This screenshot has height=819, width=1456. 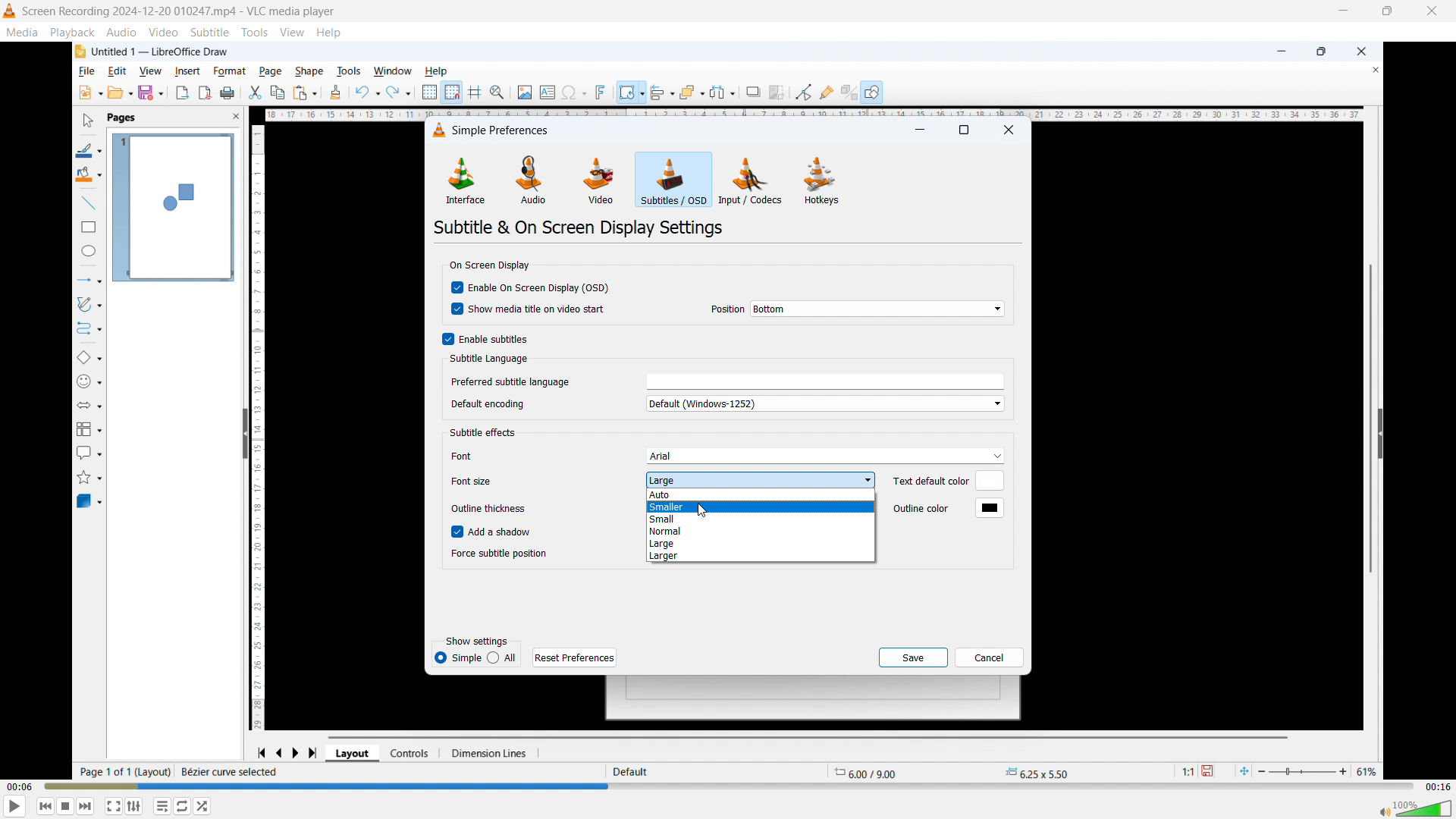 I want to click on Video duration , so click(x=1438, y=787).